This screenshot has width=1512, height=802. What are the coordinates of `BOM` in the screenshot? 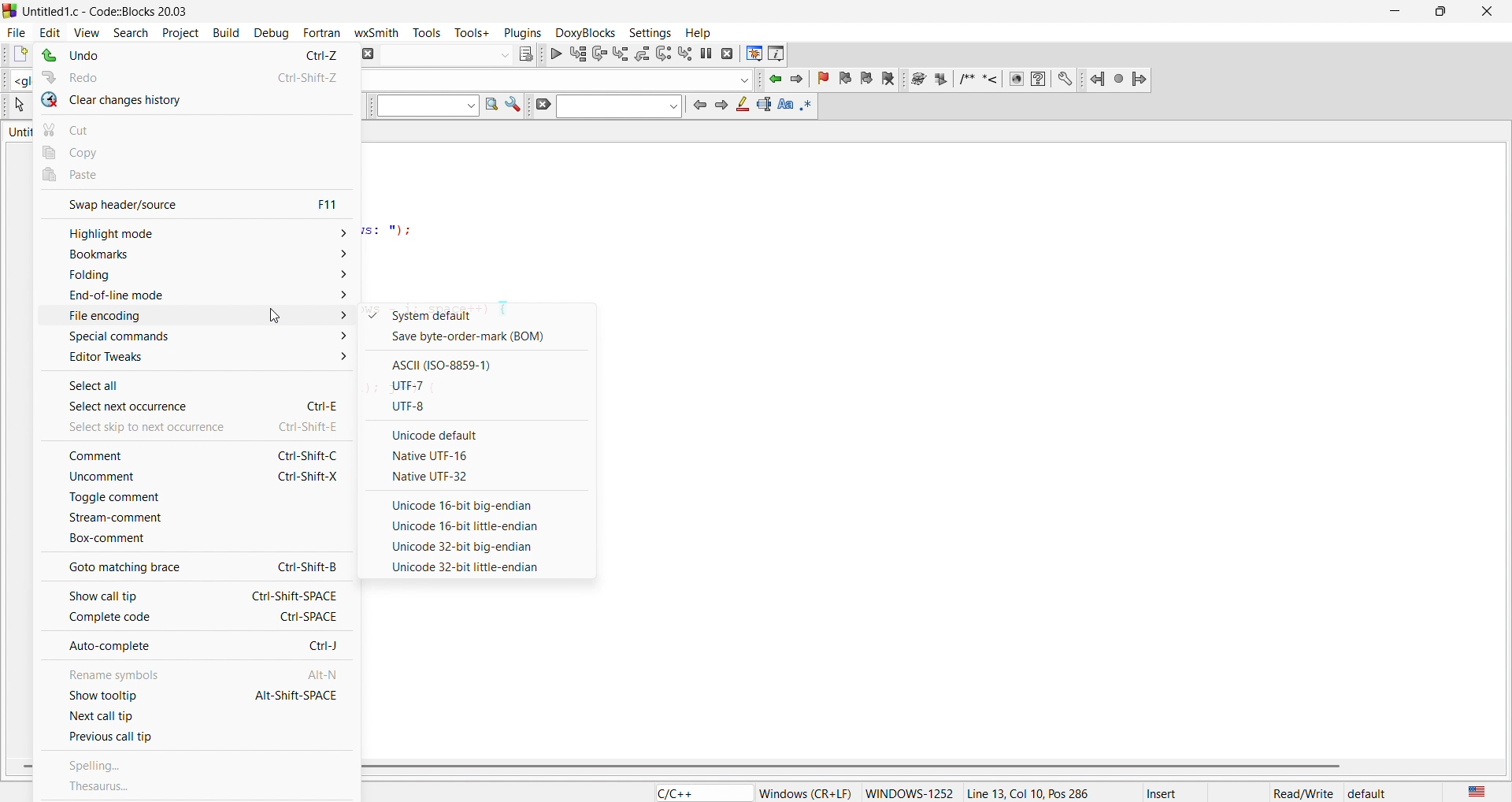 It's located at (482, 336).